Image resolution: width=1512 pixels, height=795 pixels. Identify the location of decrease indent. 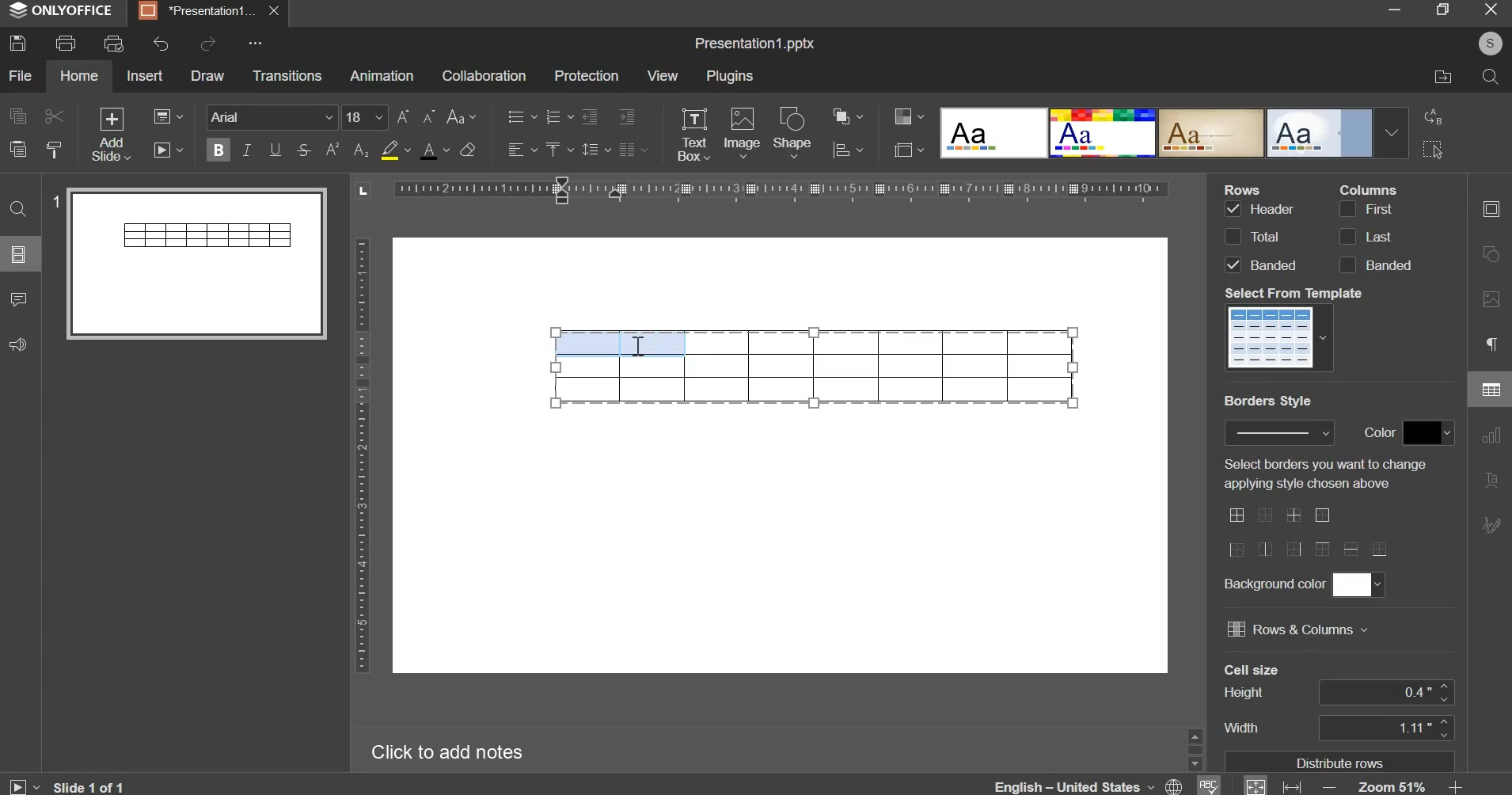
(589, 116).